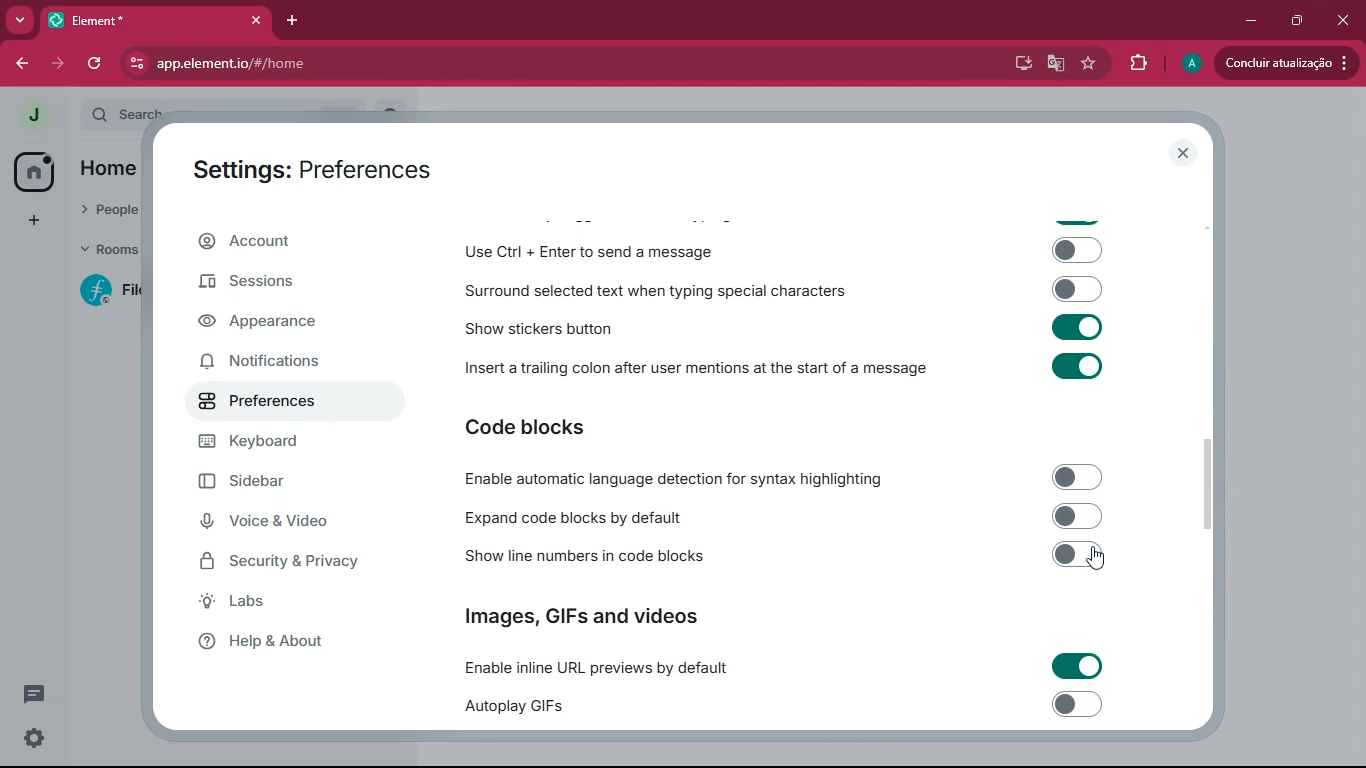 This screenshot has height=768, width=1366. I want to click on Show line numbers in code blocks, so click(781, 558).